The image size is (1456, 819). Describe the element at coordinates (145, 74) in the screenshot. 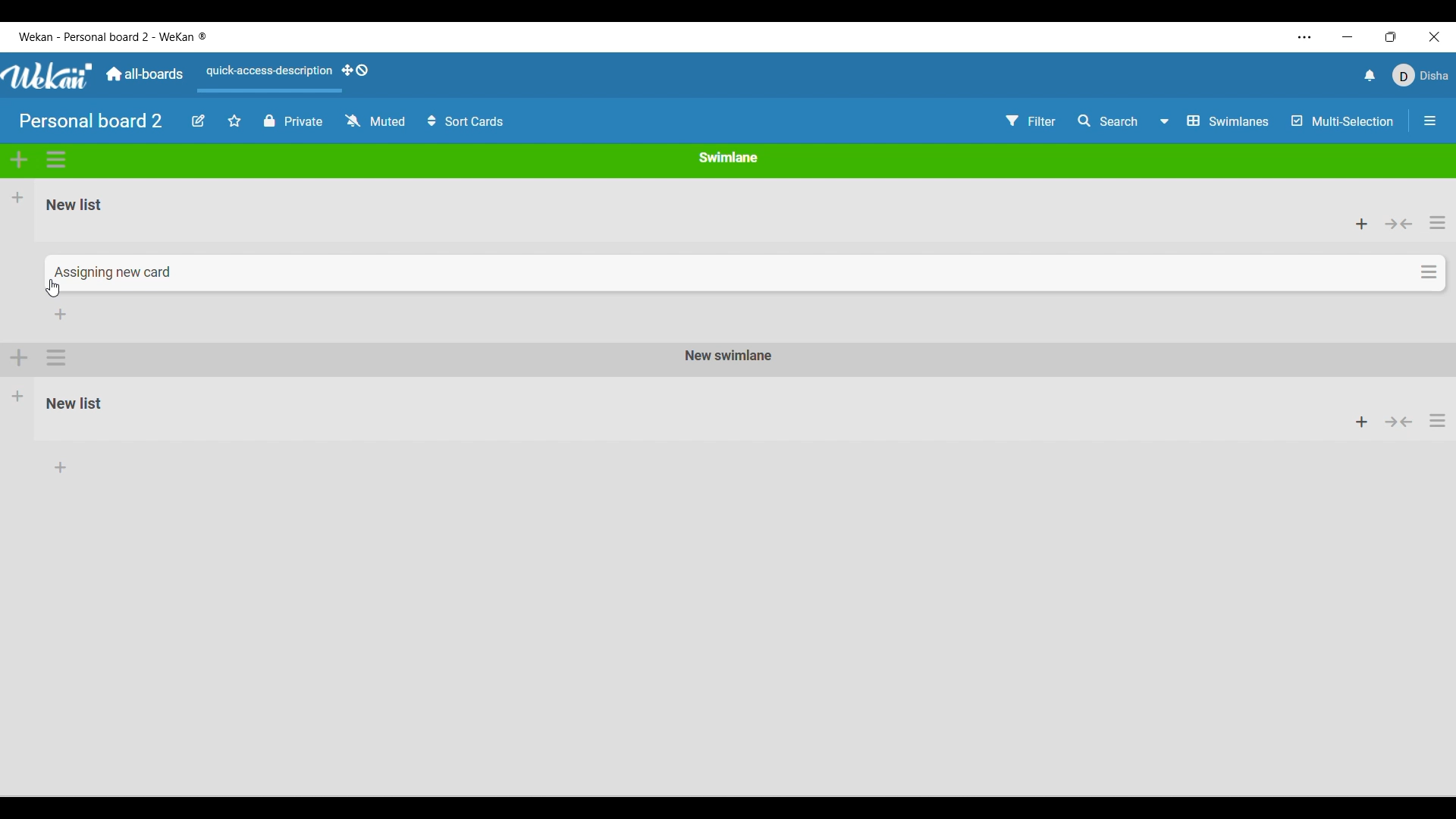

I see `Go to main dashboard` at that location.